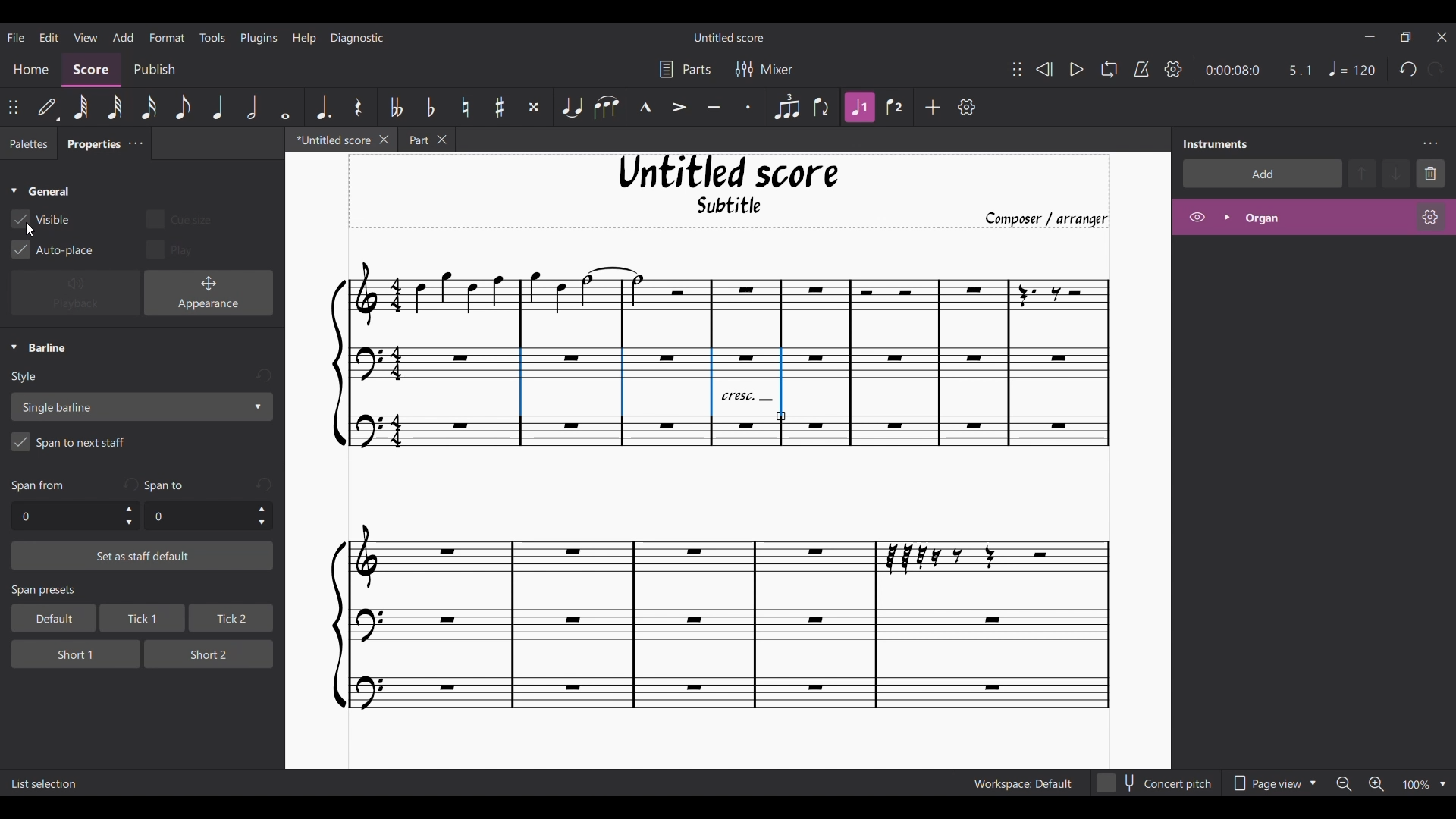 This screenshot has height=819, width=1456. What do you see at coordinates (1431, 173) in the screenshot?
I see `Delete selection` at bounding box center [1431, 173].